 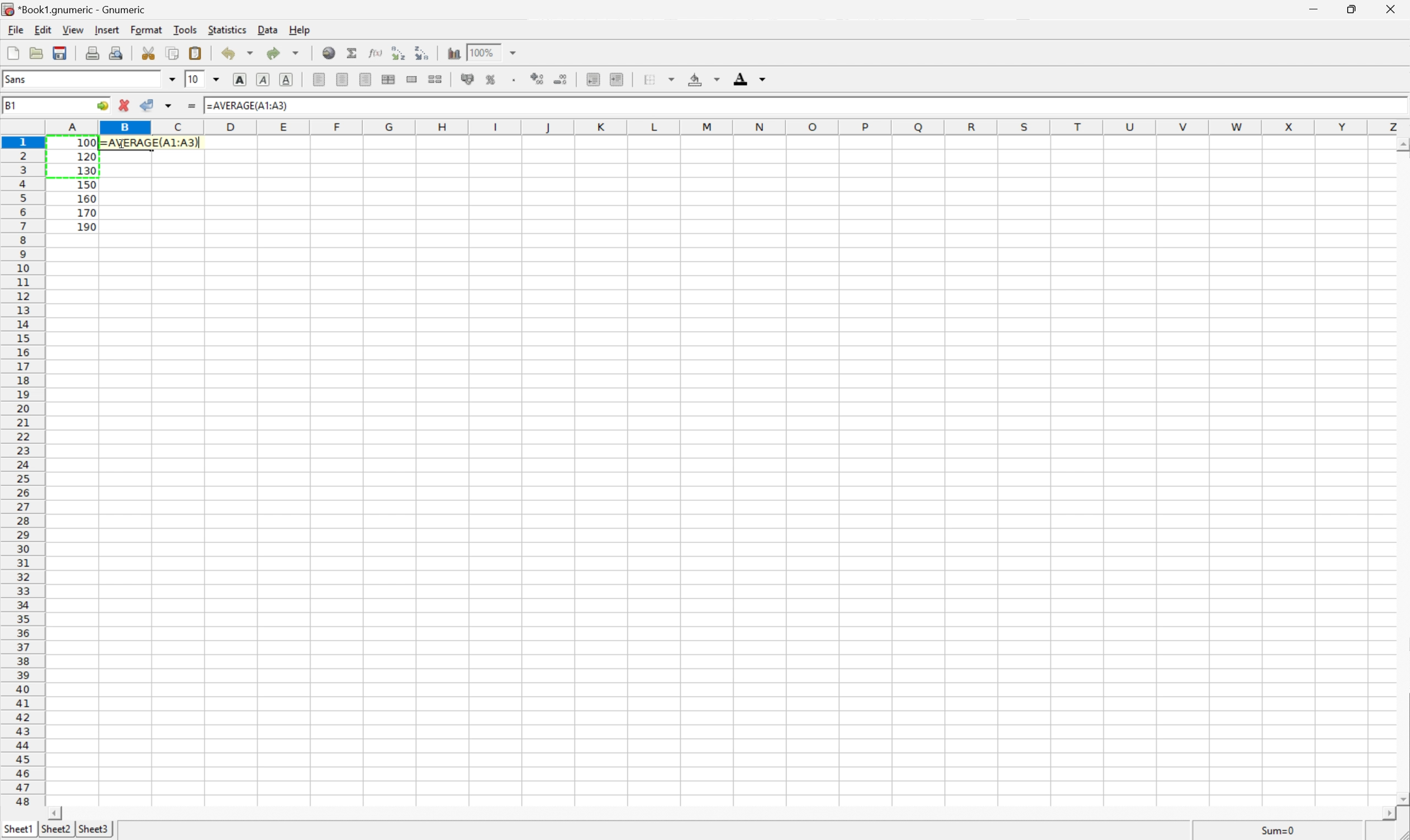 I want to click on Set the format of the selected cells to include a thousands separator, so click(x=516, y=79).